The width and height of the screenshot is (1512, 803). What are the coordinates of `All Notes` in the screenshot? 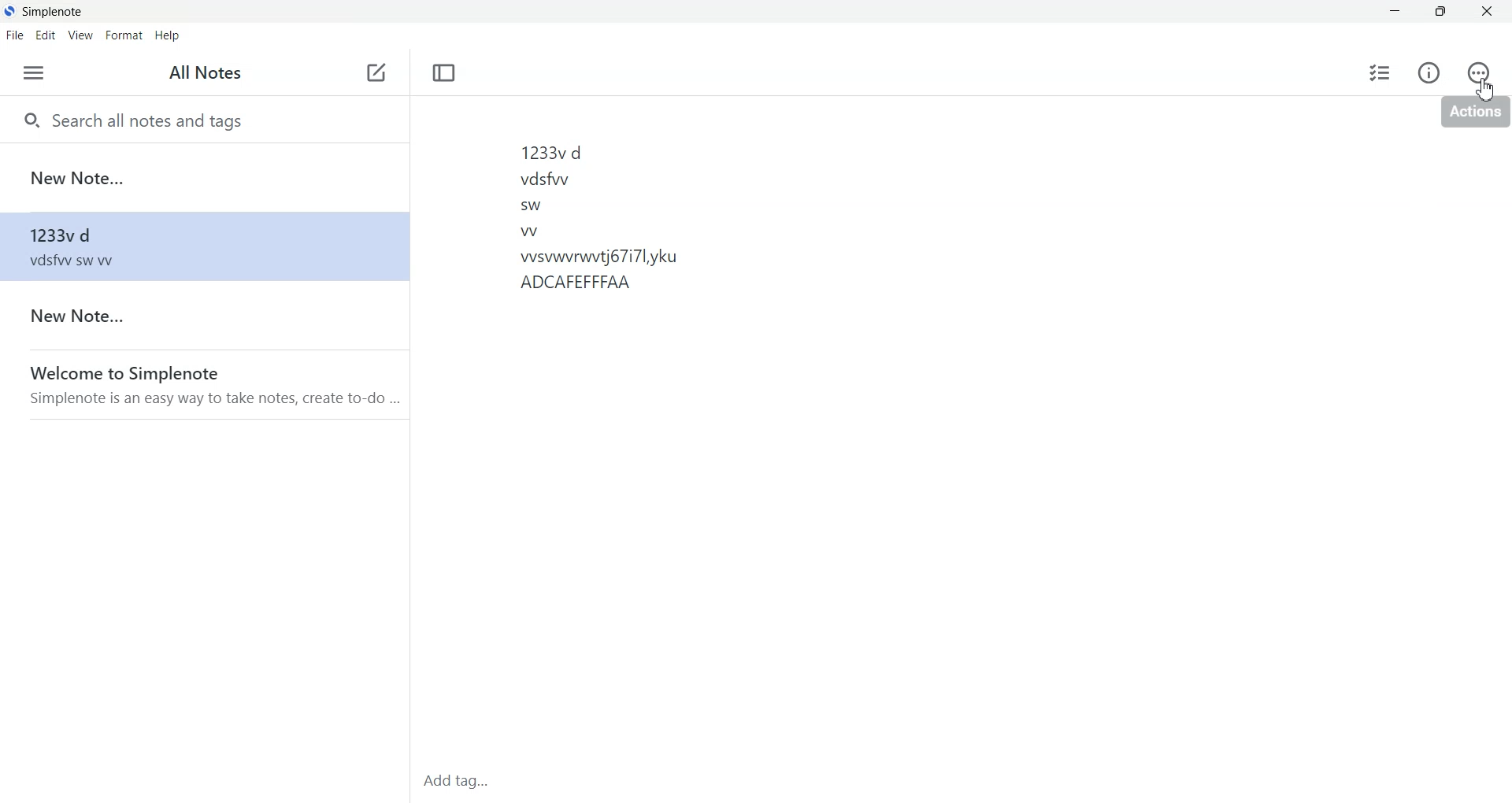 It's located at (209, 73).